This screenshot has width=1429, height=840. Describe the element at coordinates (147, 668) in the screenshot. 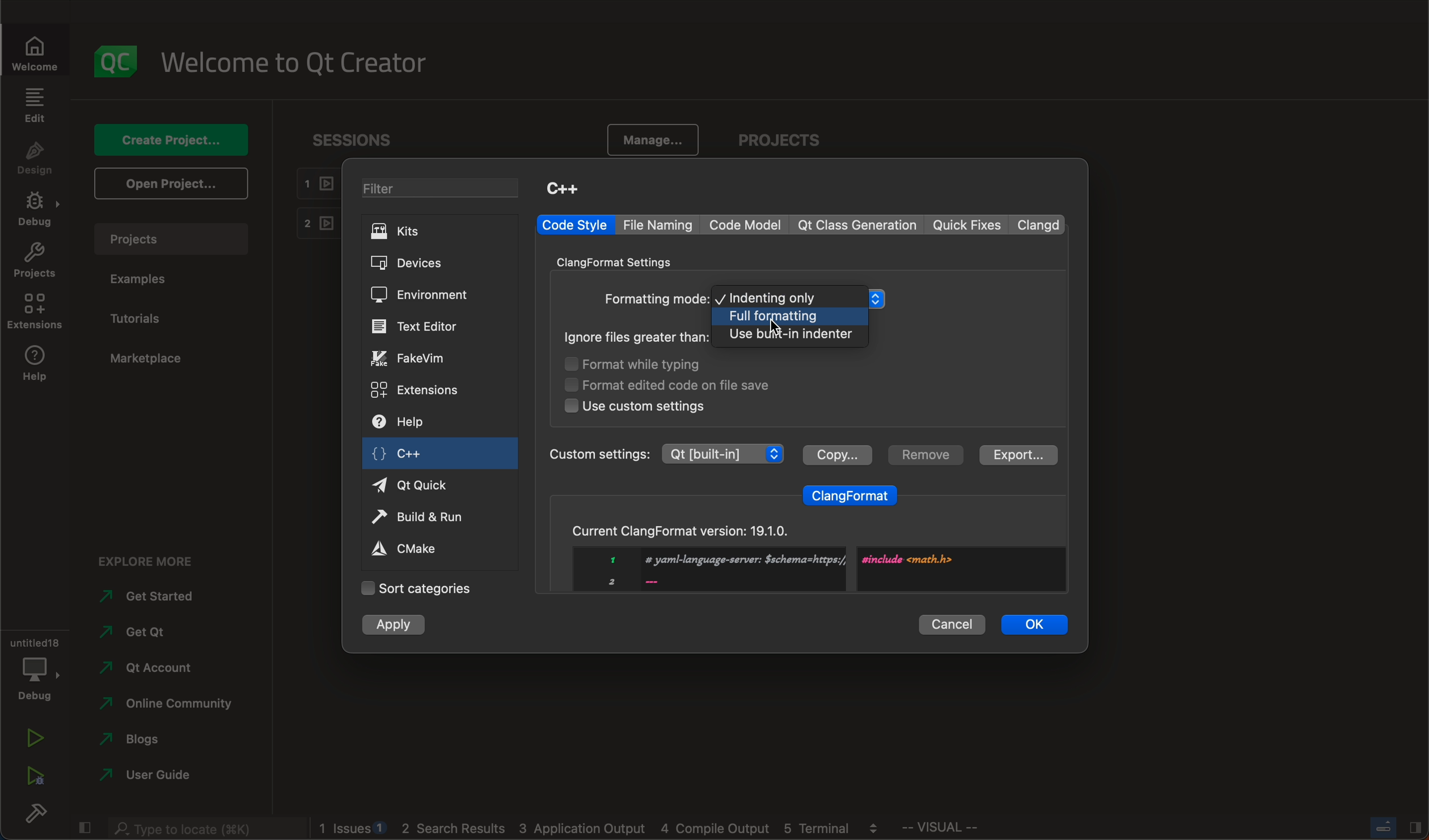

I see `account` at that location.